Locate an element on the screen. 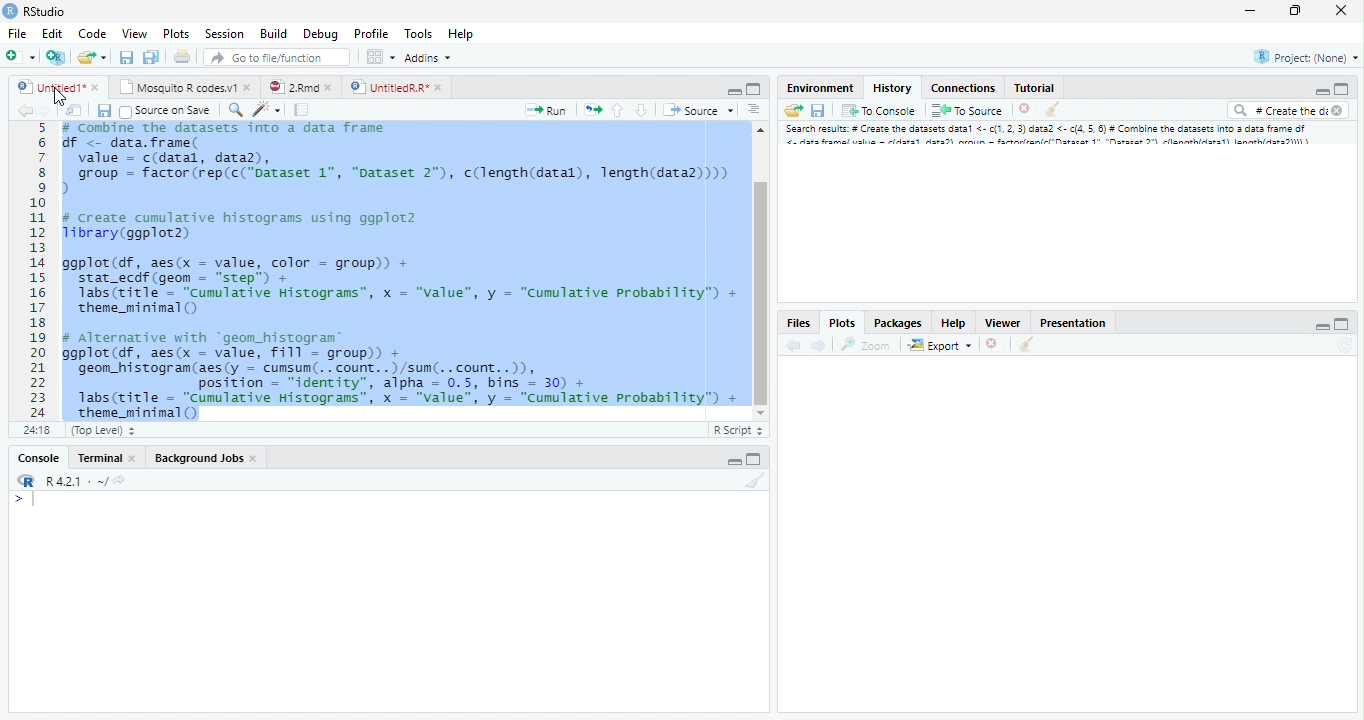 Image resolution: width=1364 pixels, height=720 pixels. Scrollbar is located at coordinates (759, 268).